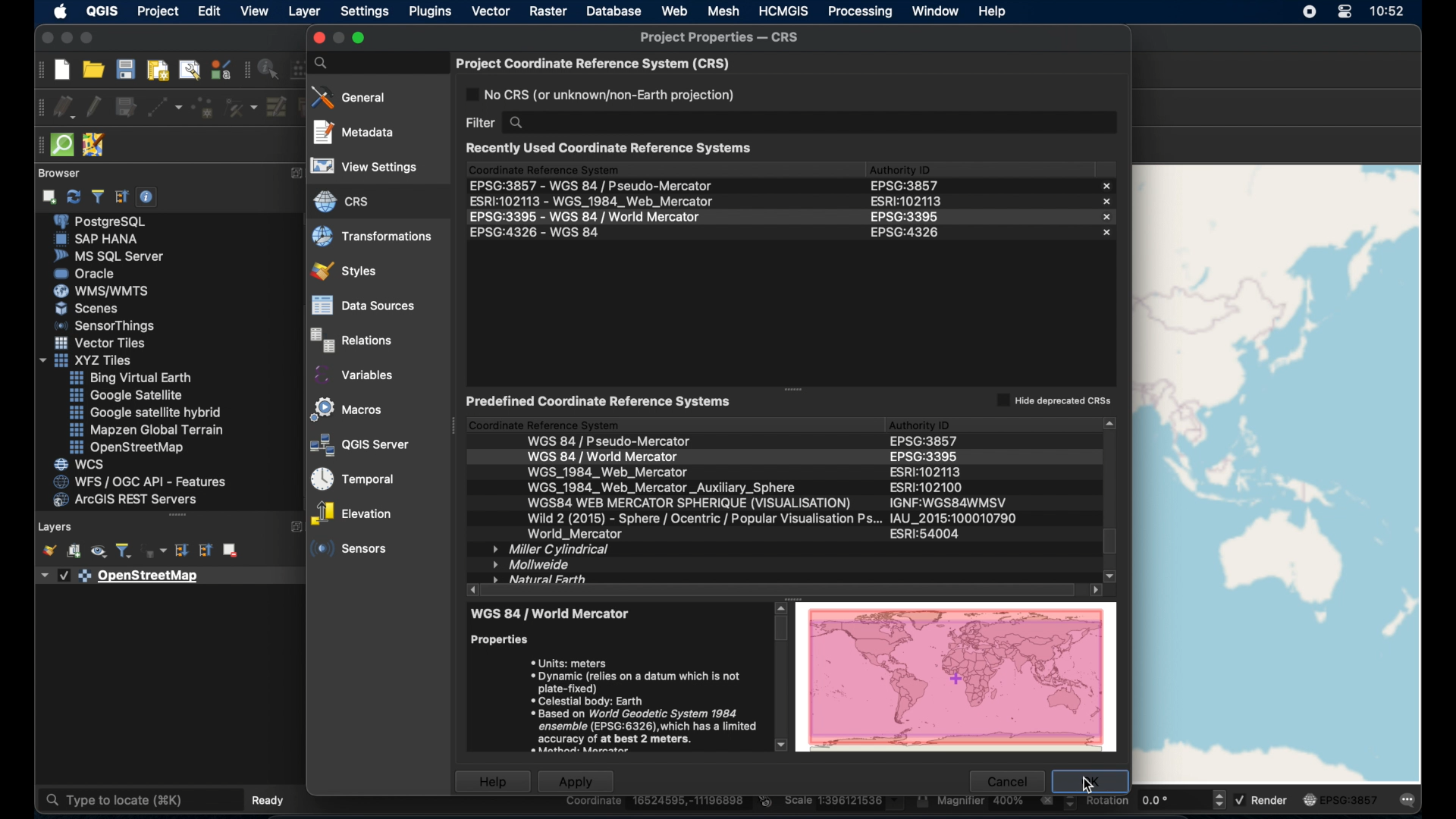 The image size is (1456, 819). Describe the element at coordinates (906, 216) in the screenshot. I see `epsg:3395` at that location.